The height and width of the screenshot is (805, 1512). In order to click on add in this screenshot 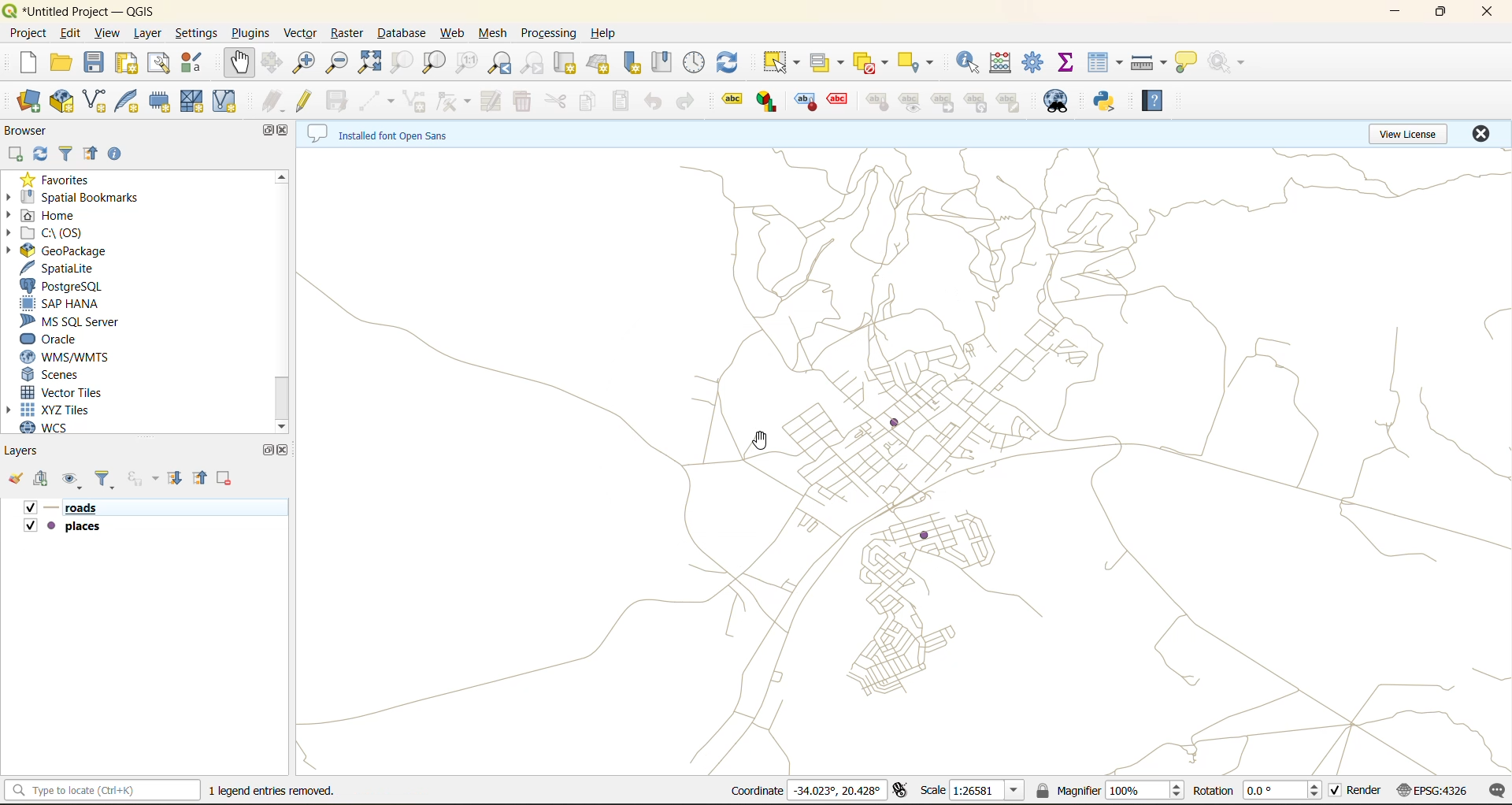, I will do `click(43, 481)`.